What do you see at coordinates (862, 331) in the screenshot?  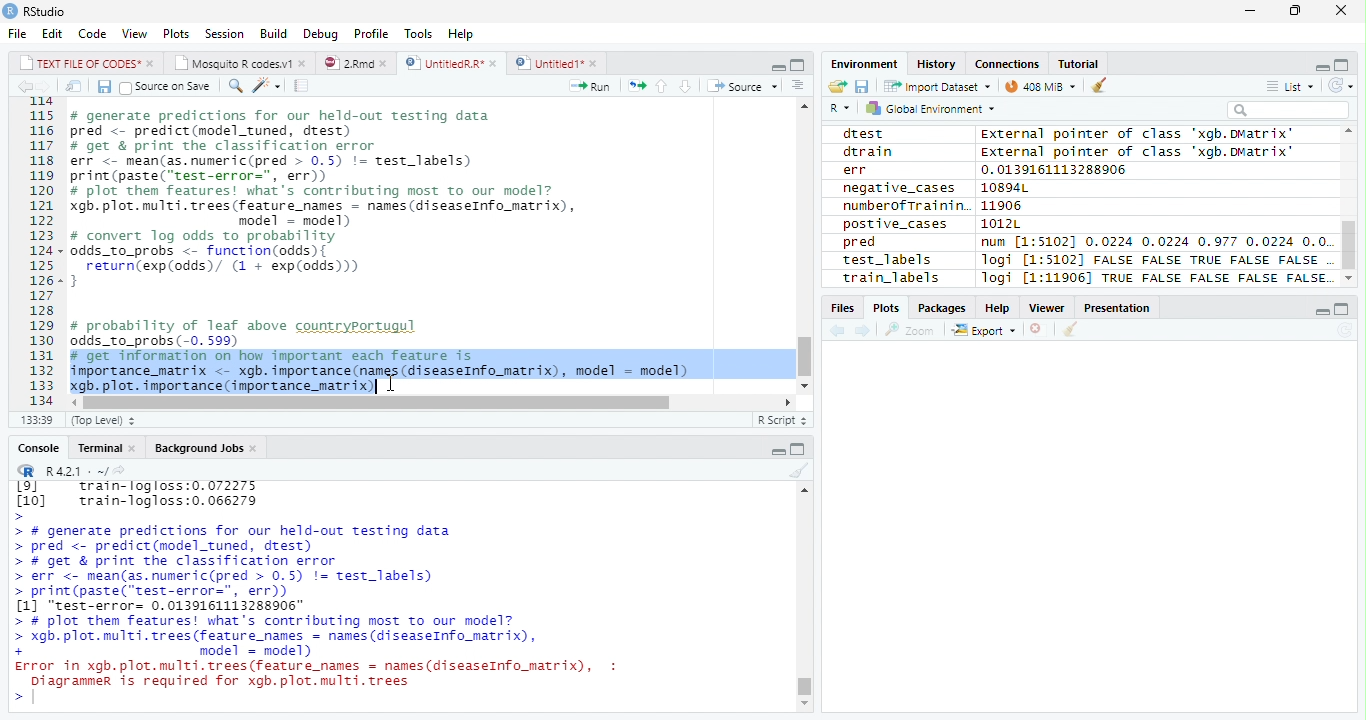 I see `Next` at bounding box center [862, 331].